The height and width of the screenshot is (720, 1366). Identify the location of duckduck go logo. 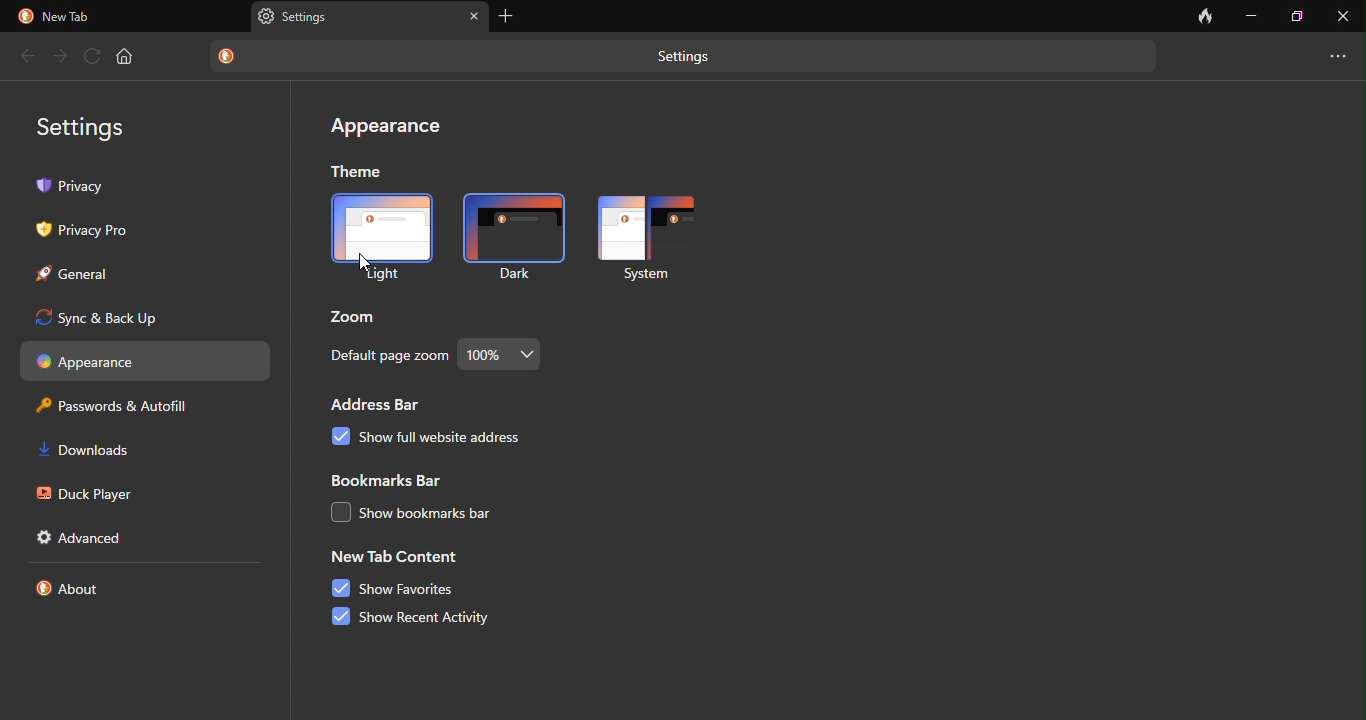
(228, 57).